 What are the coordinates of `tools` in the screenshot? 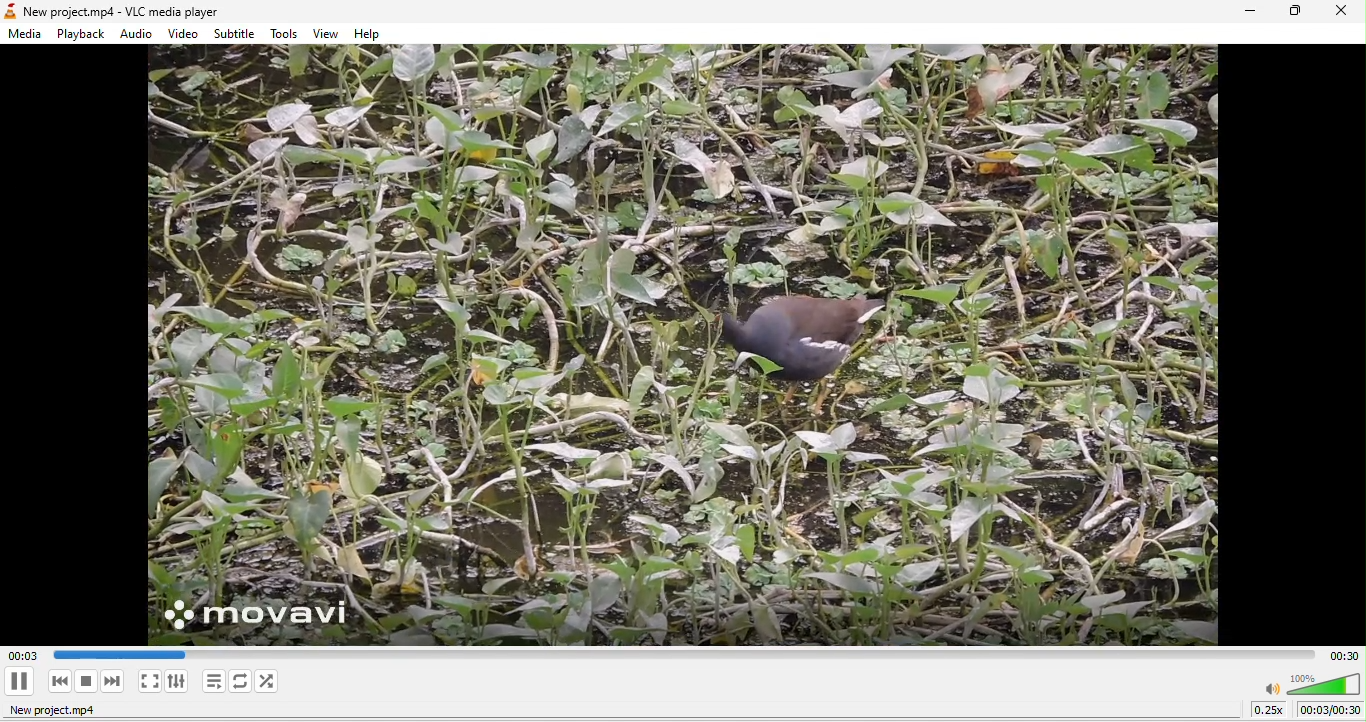 It's located at (287, 34).